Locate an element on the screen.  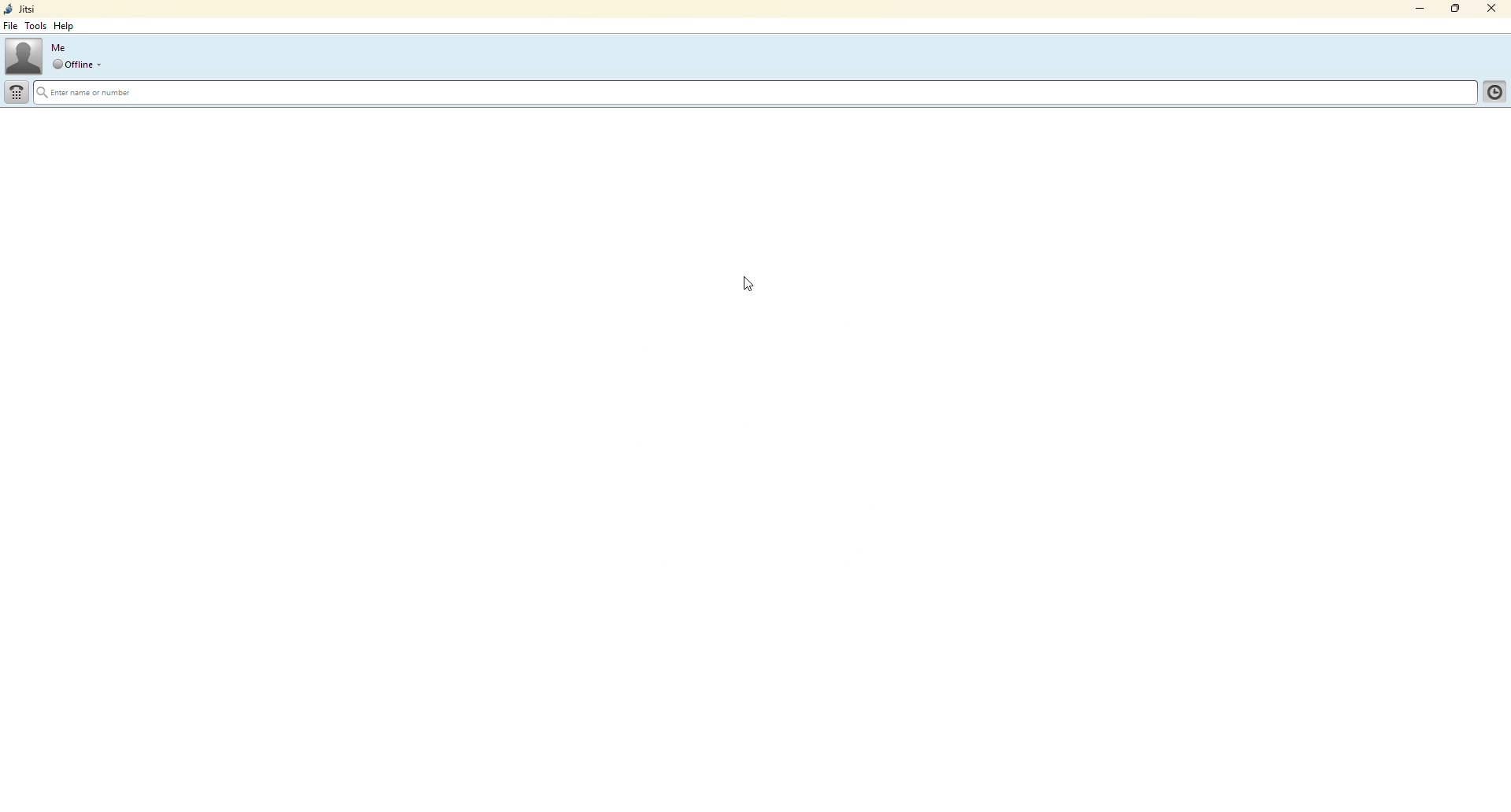
contact list is located at coordinates (1492, 94).